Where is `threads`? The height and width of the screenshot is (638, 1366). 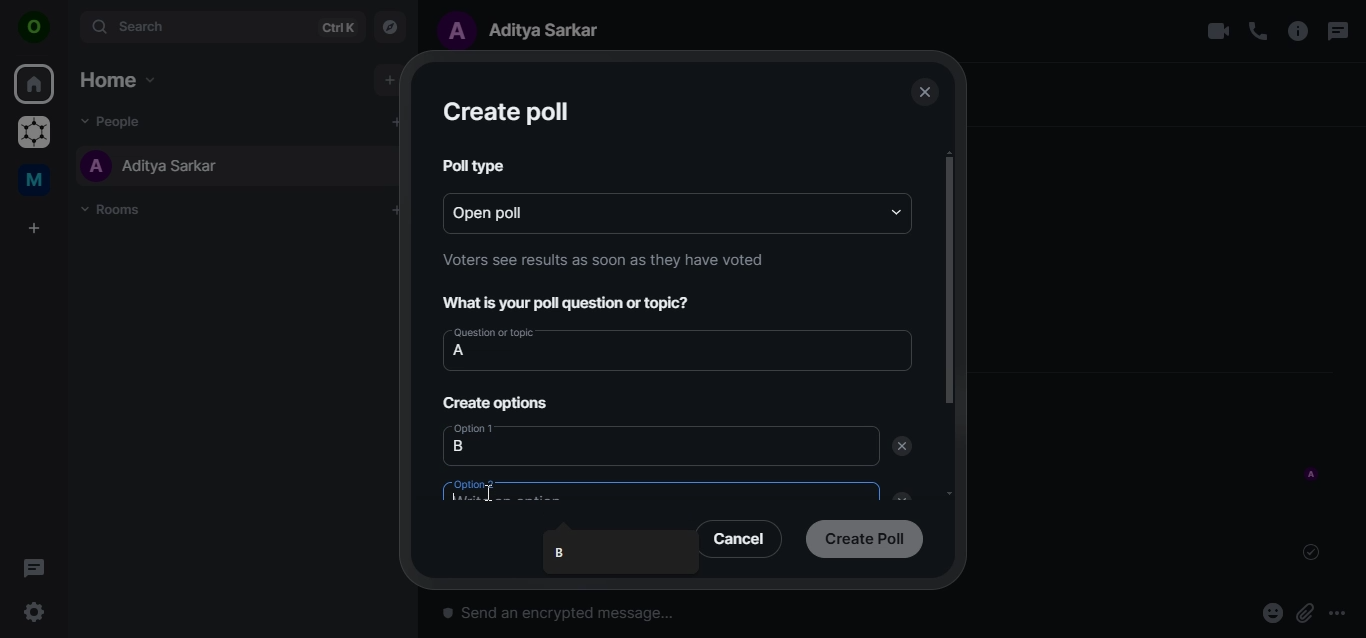
threads is located at coordinates (34, 567).